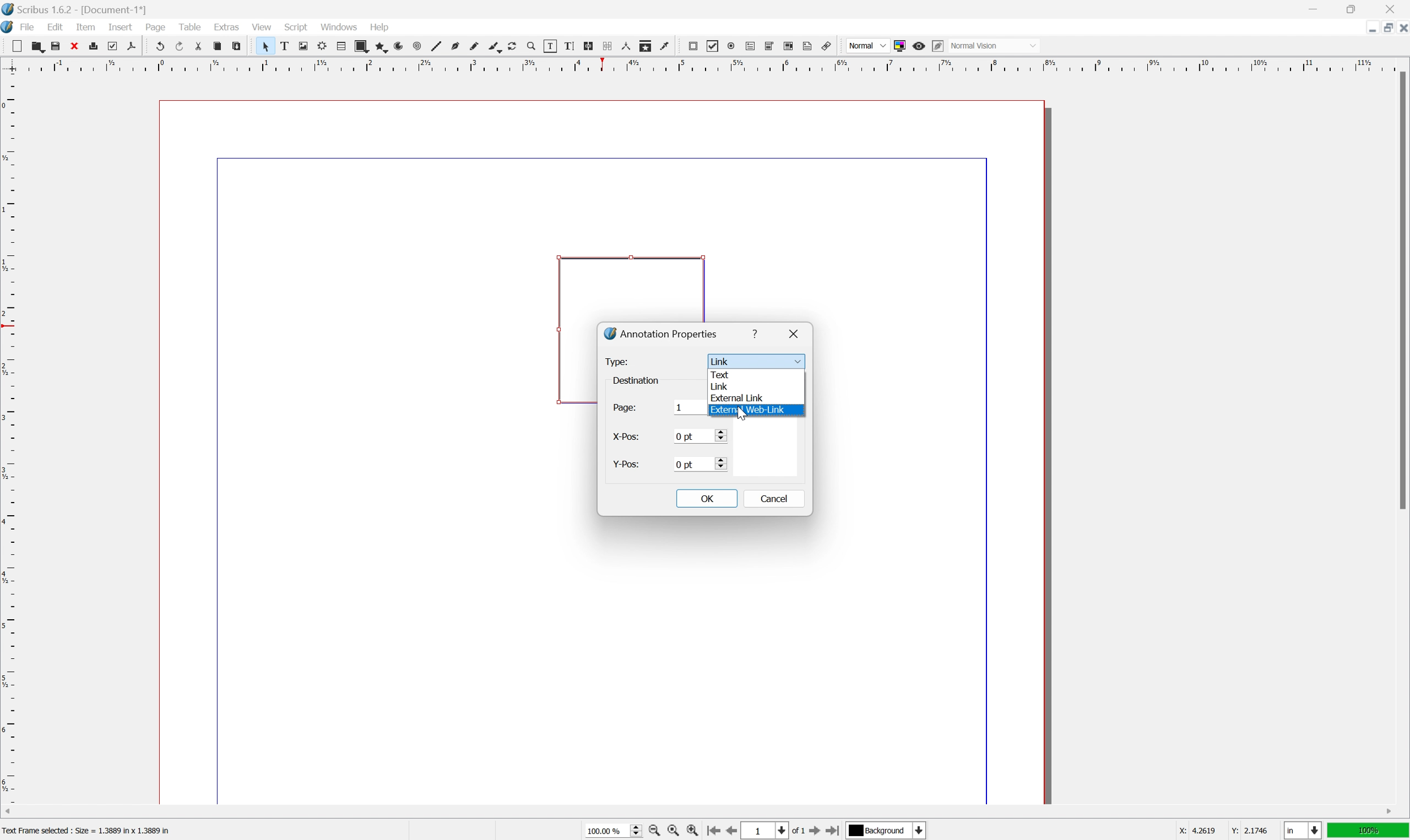 This screenshot has height=840, width=1410. I want to click on zoom to 100%, so click(673, 831).